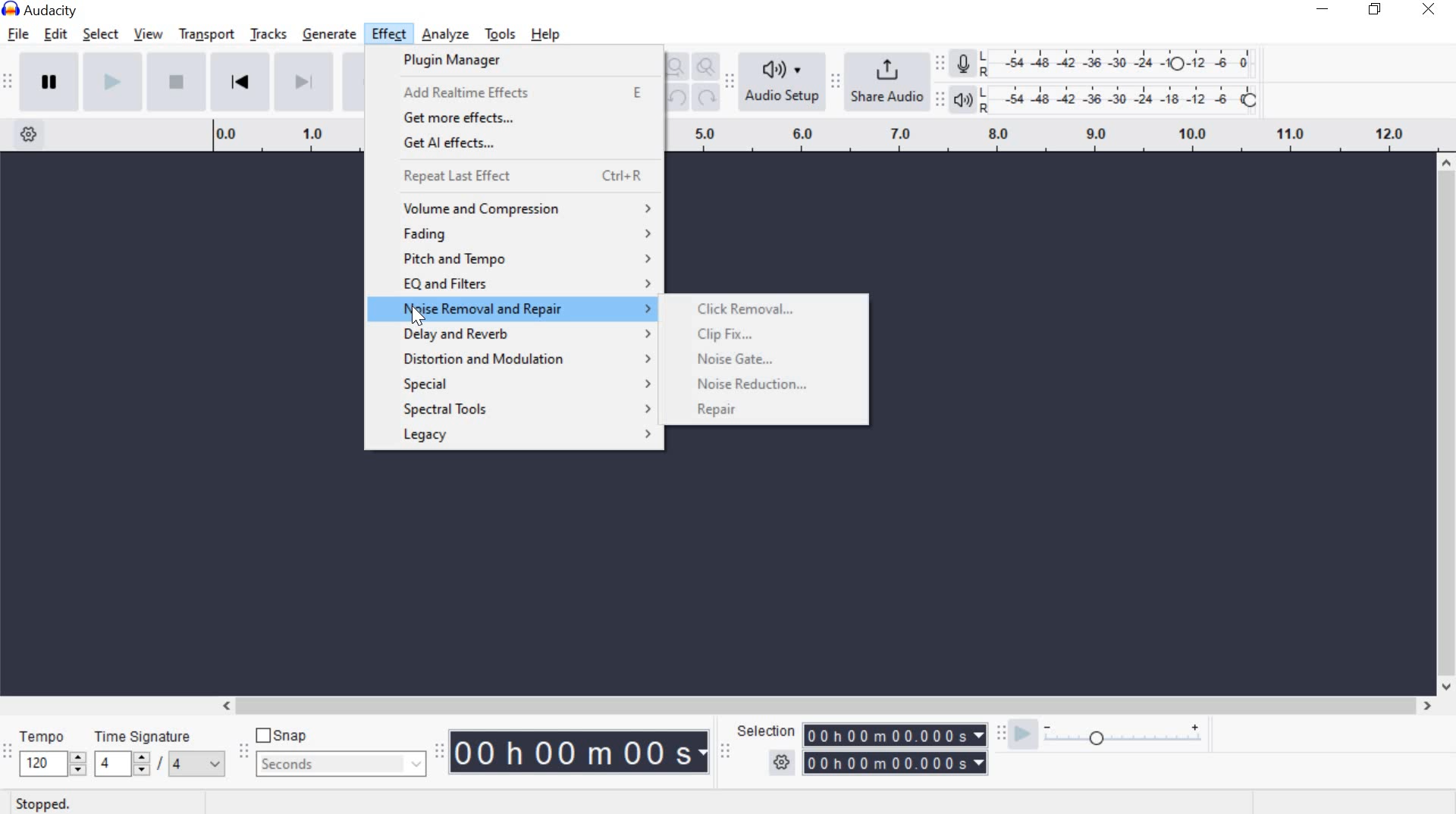  I want to click on seconds, so click(344, 765).